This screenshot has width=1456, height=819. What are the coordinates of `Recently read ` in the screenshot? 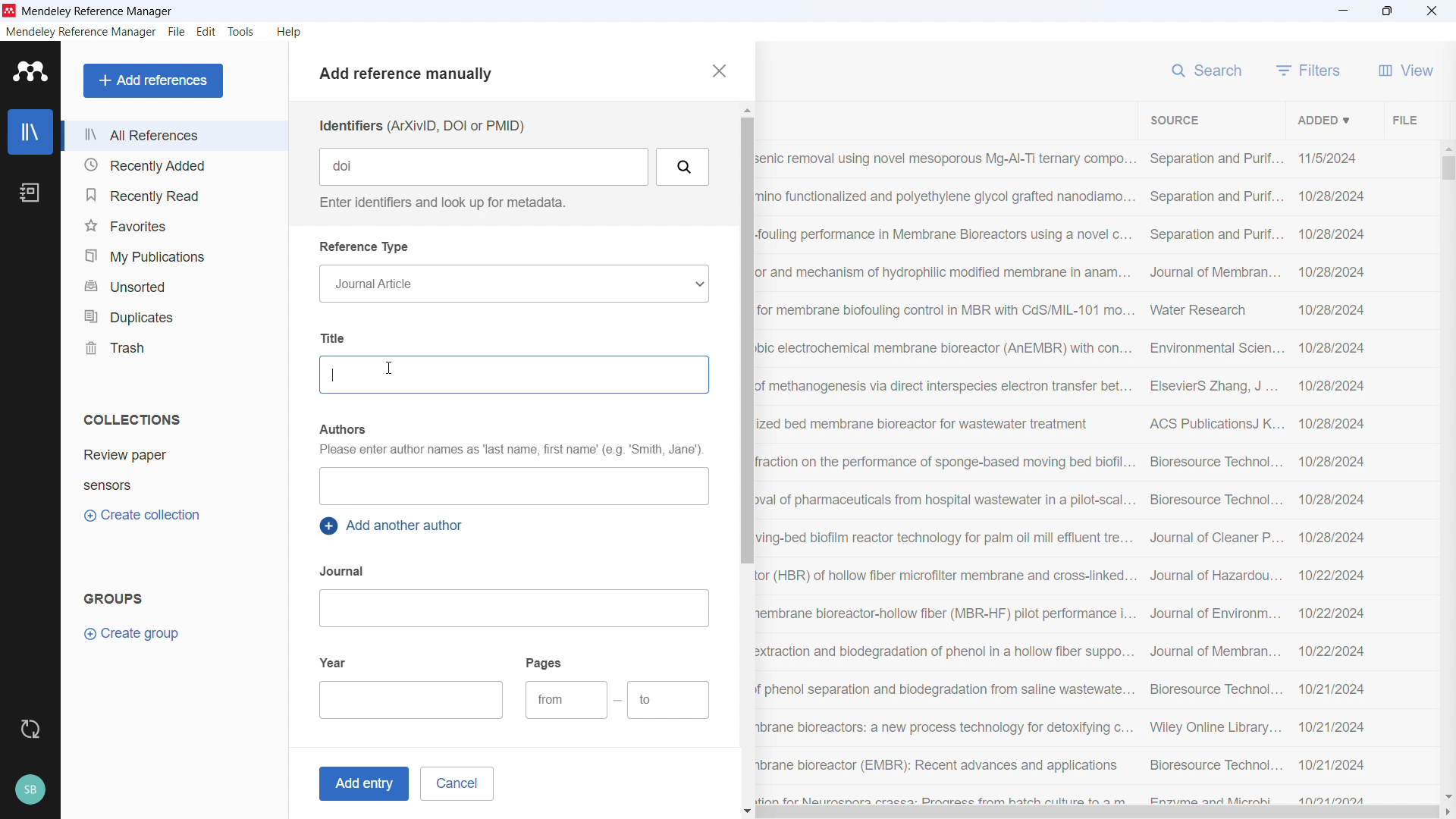 It's located at (172, 195).